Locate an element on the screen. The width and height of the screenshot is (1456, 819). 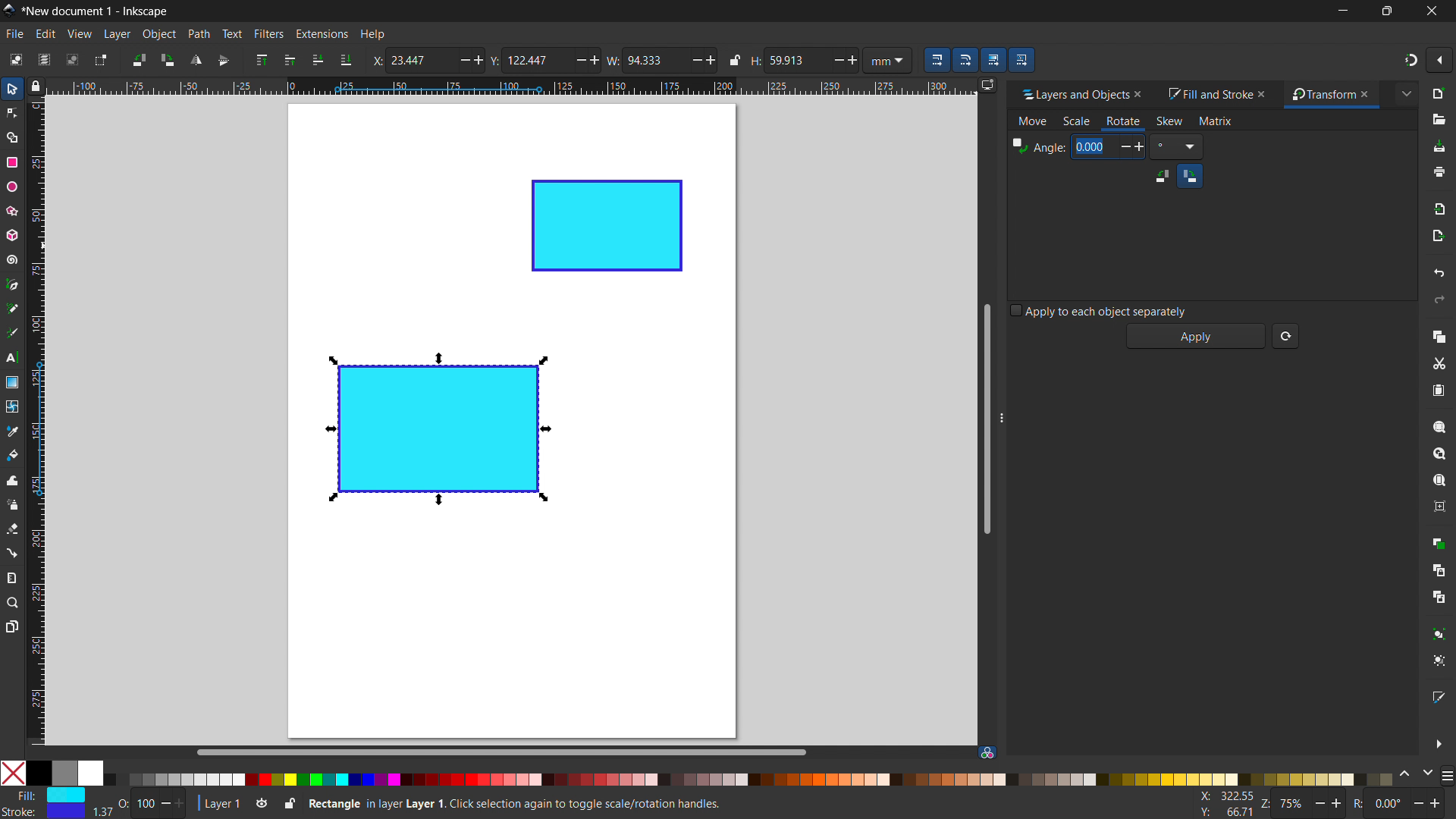
Angle is located at coordinates (1038, 147).